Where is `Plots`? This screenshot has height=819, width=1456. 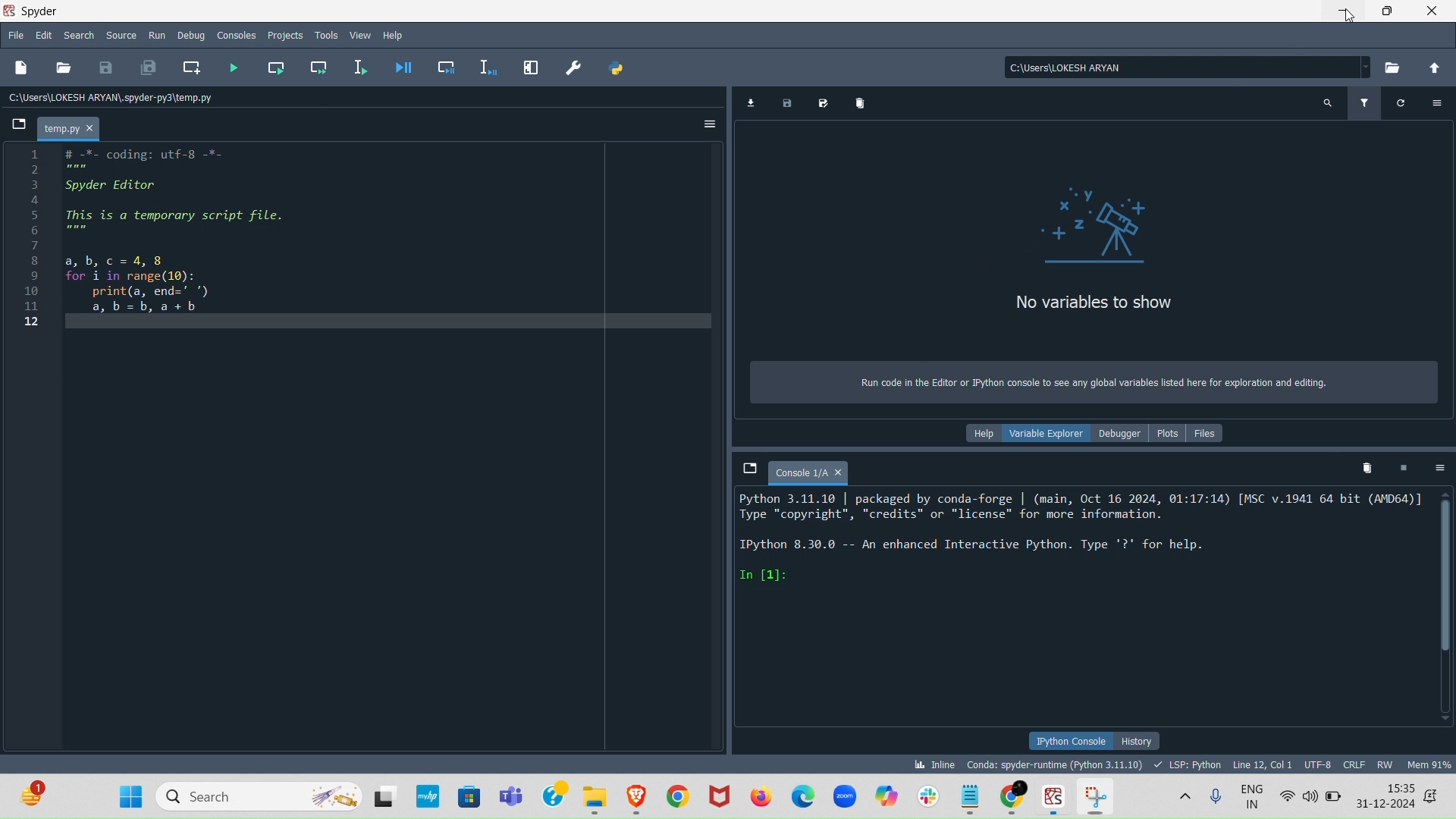 Plots is located at coordinates (1174, 431).